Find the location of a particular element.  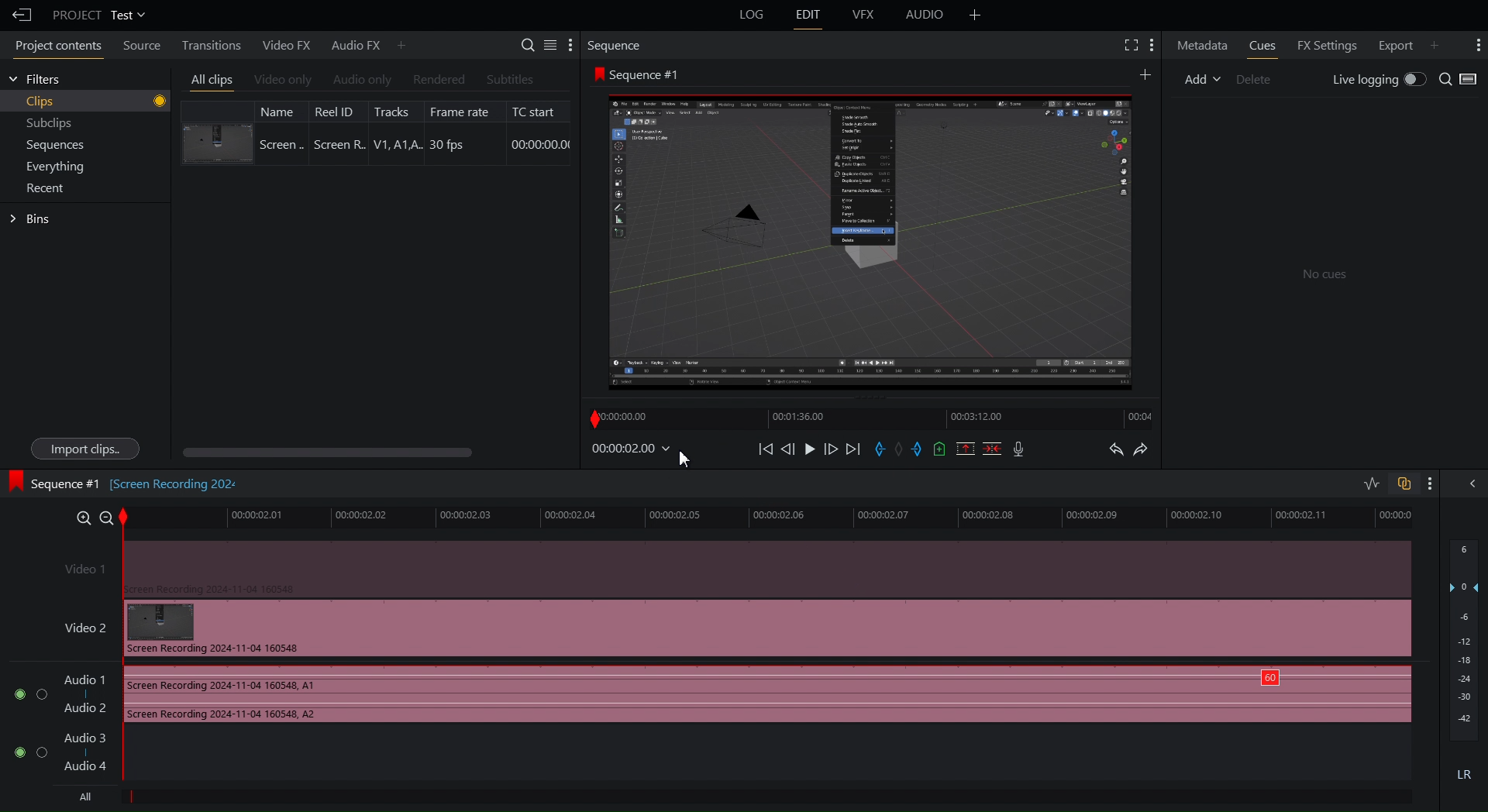

Timeline is located at coordinates (872, 416).